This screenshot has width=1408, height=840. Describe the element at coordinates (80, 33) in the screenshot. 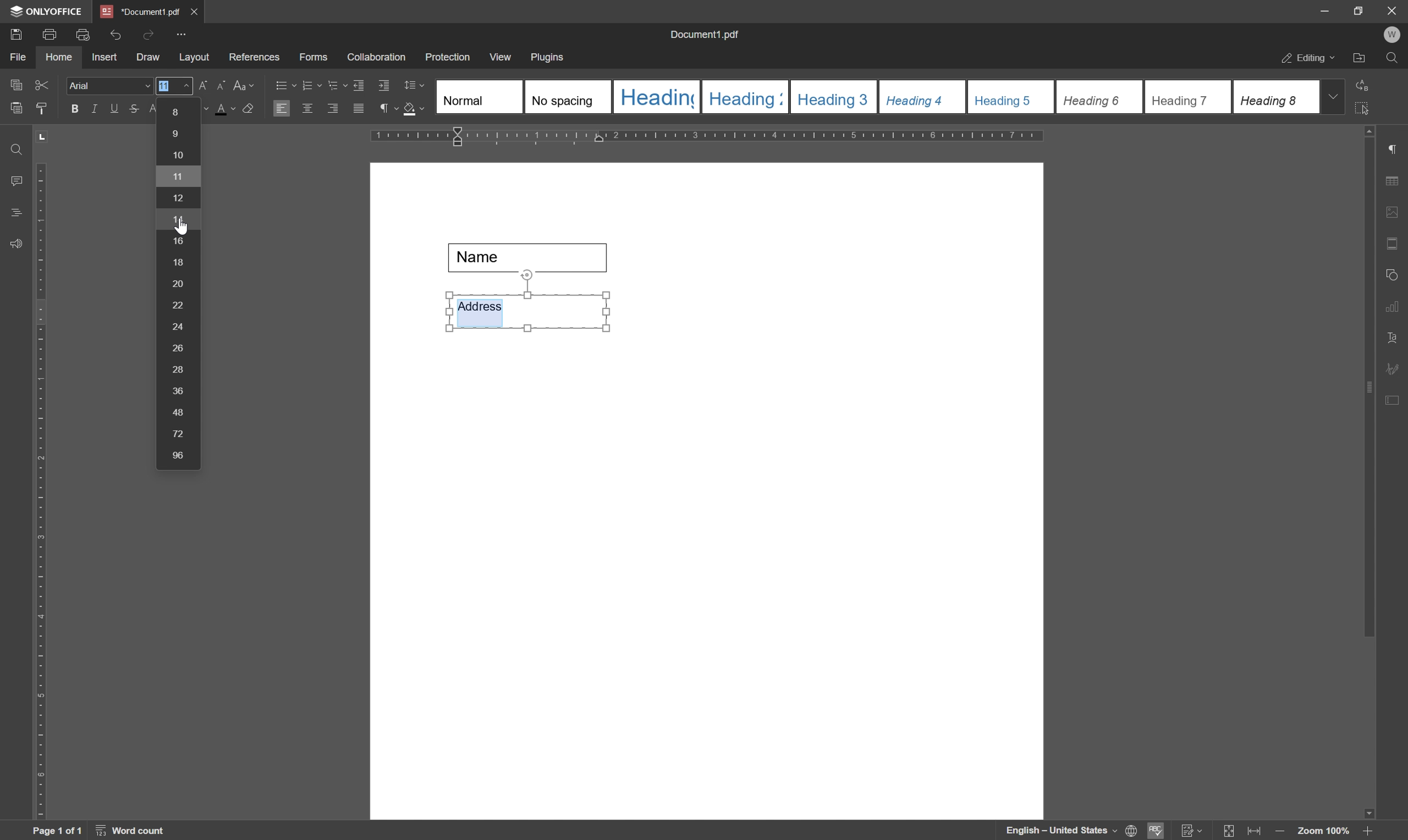

I see `quick print` at that location.